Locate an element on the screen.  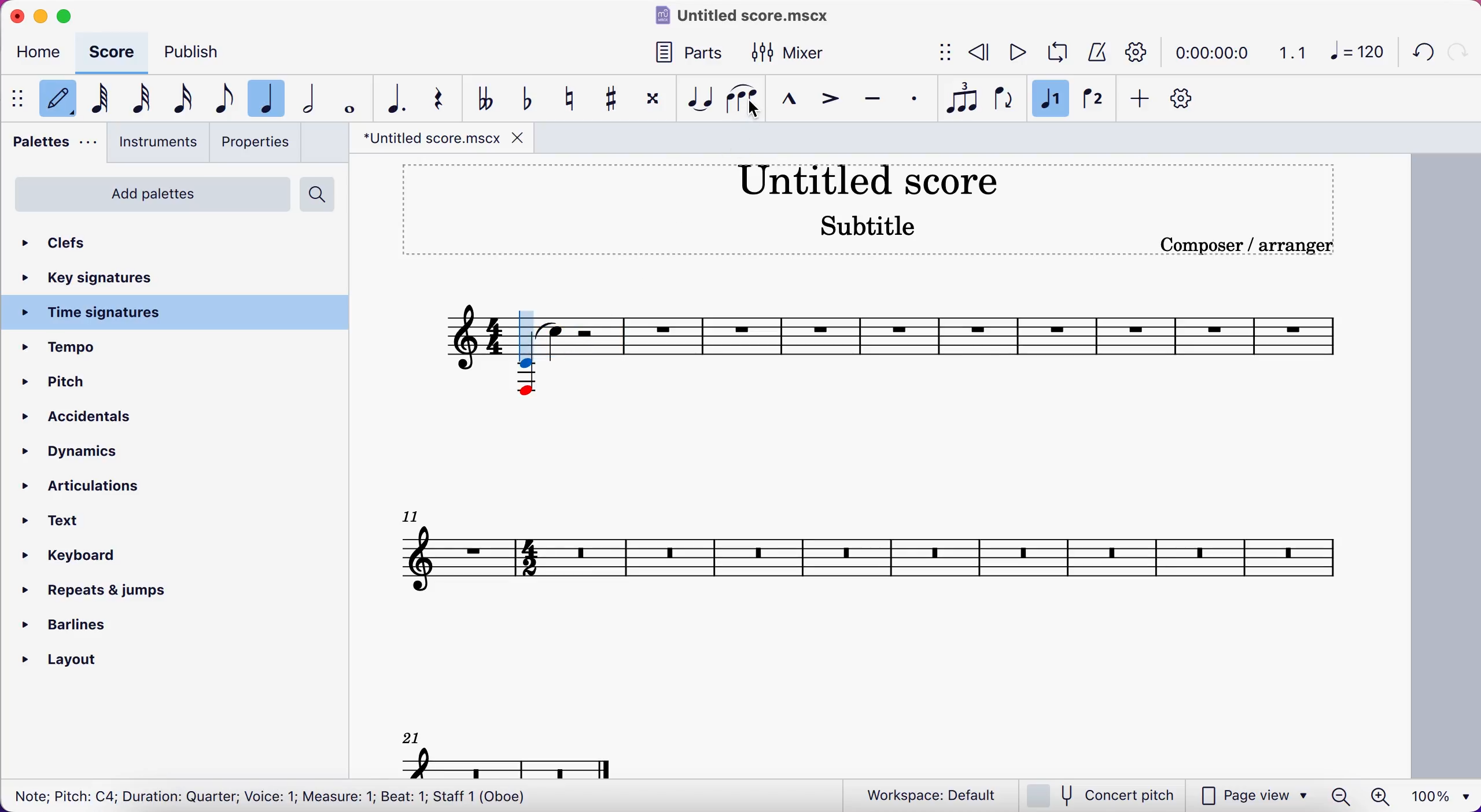
publish is located at coordinates (201, 53).